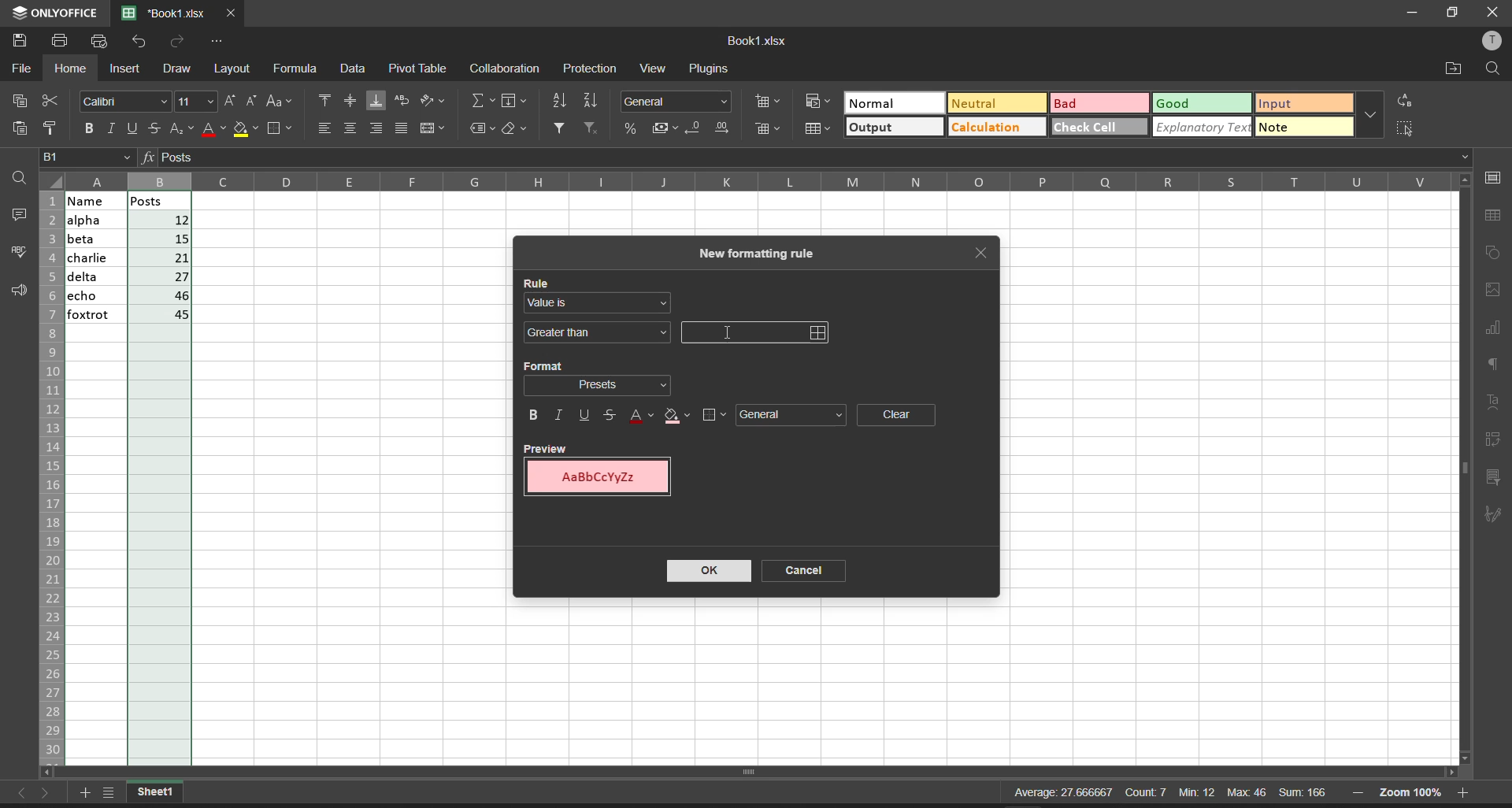 This screenshot has height=808, width=1512. Describe the element at coordinates (401, 130) in the screenshot. I see `justified` at that location.